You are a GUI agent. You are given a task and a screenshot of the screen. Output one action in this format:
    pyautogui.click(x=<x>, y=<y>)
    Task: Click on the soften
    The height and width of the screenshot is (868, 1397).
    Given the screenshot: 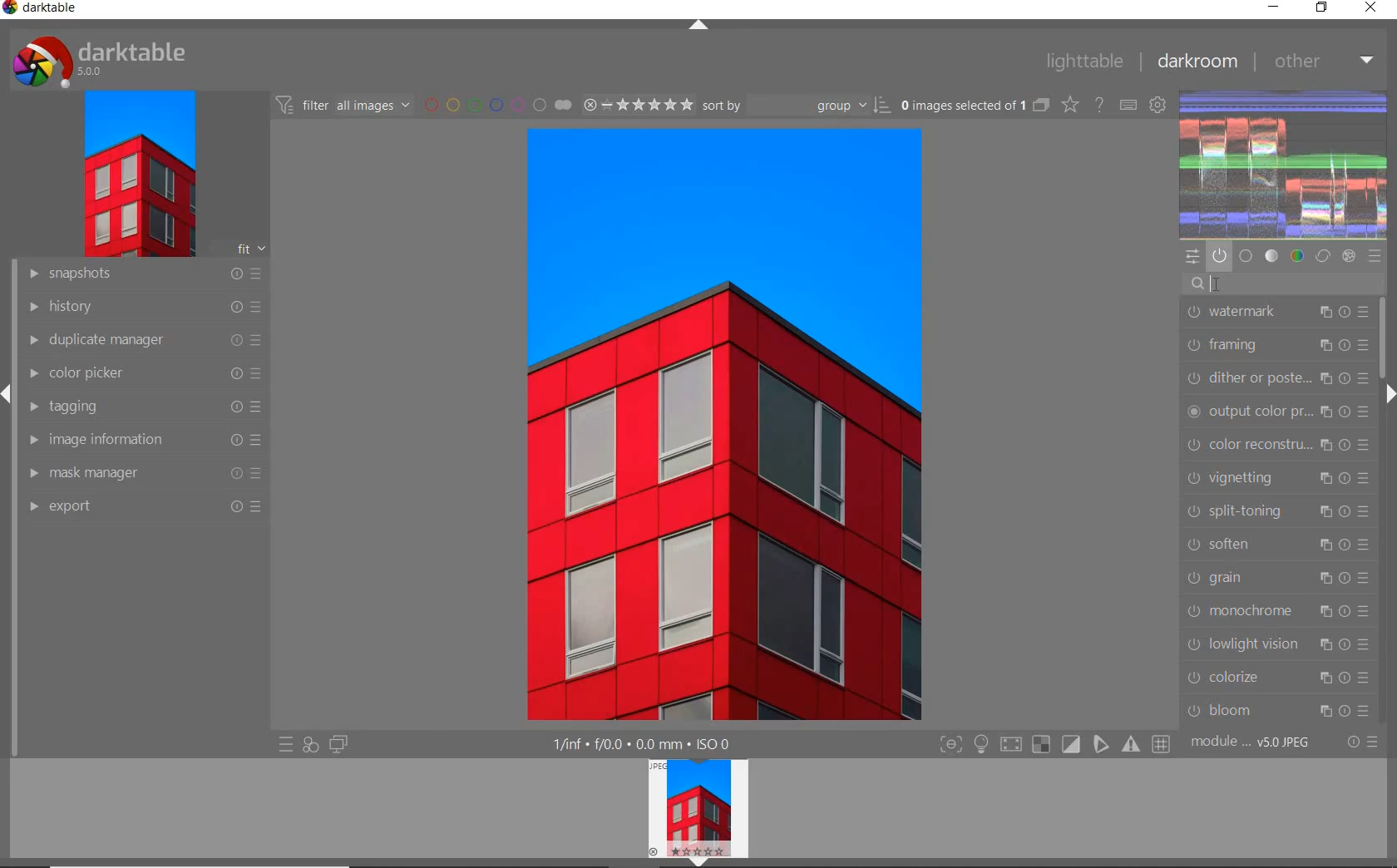 What is the action you would take?
    pyautogui.click(x=1279, y=542)
    